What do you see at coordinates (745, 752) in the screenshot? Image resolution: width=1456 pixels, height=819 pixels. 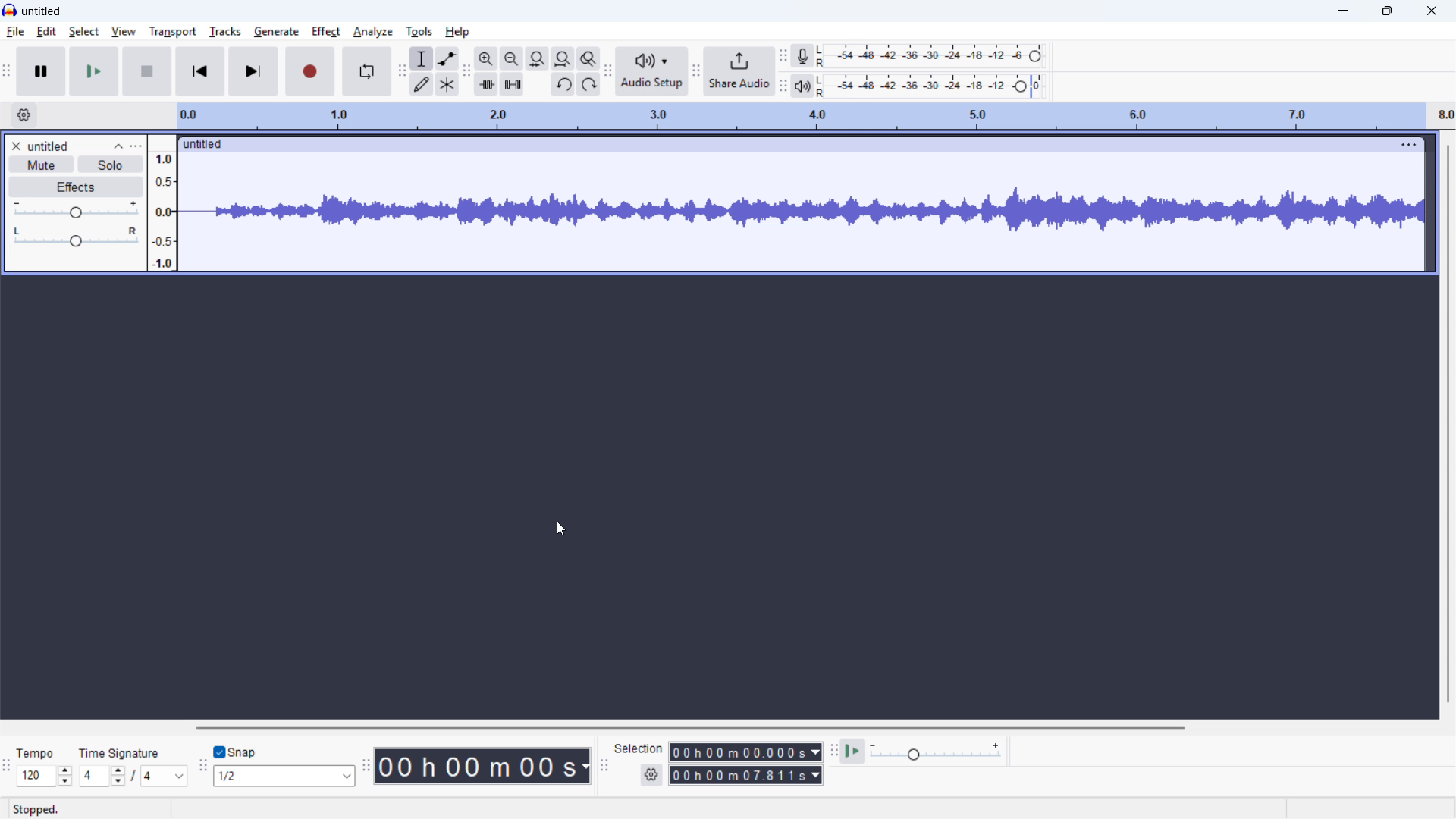 I see `Selection start time ` at bounding box center [745, 752].